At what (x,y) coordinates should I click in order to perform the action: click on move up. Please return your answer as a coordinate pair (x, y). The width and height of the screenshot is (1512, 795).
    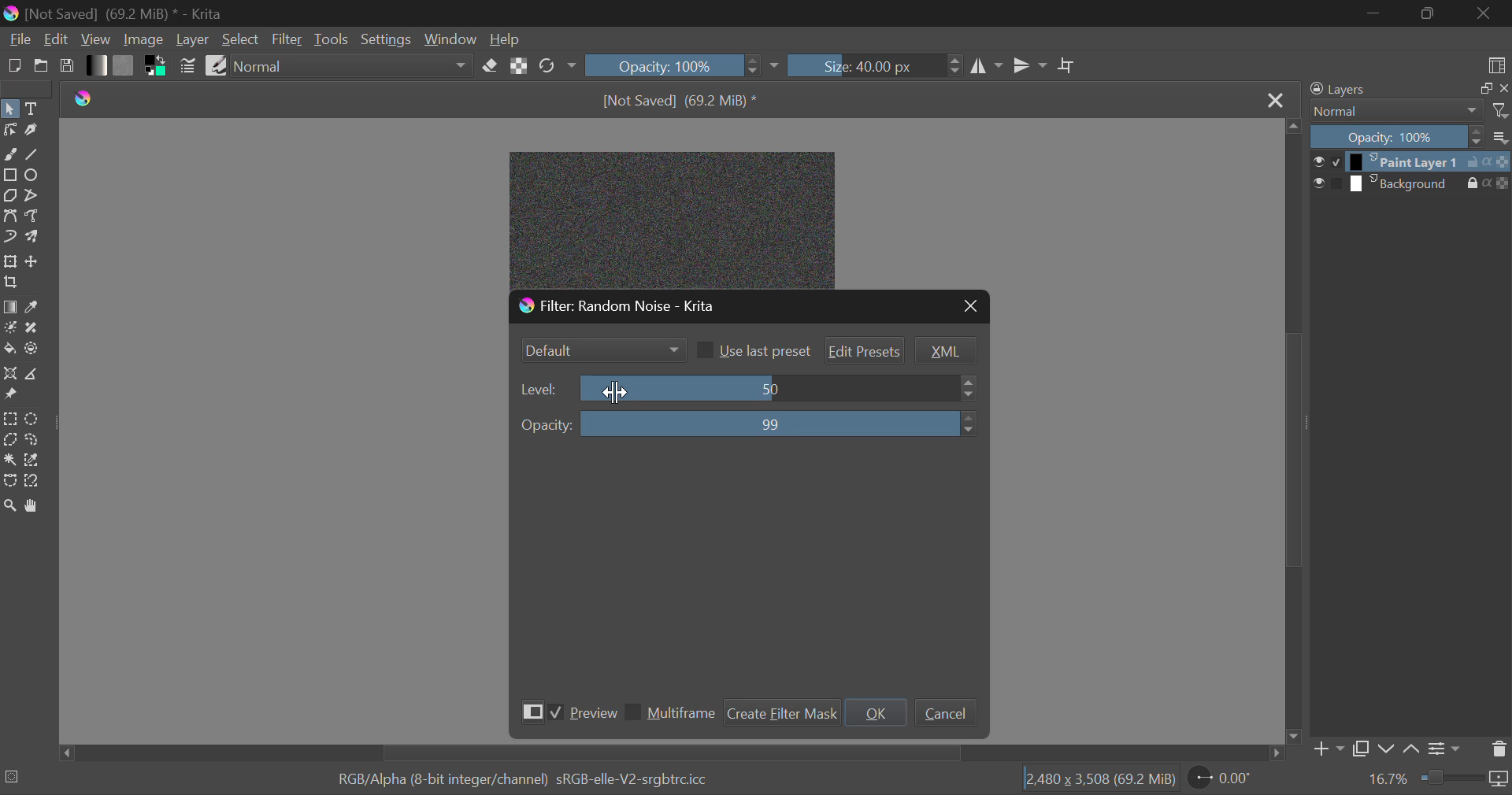
    Looking at the image, I should click on (1293, 125).